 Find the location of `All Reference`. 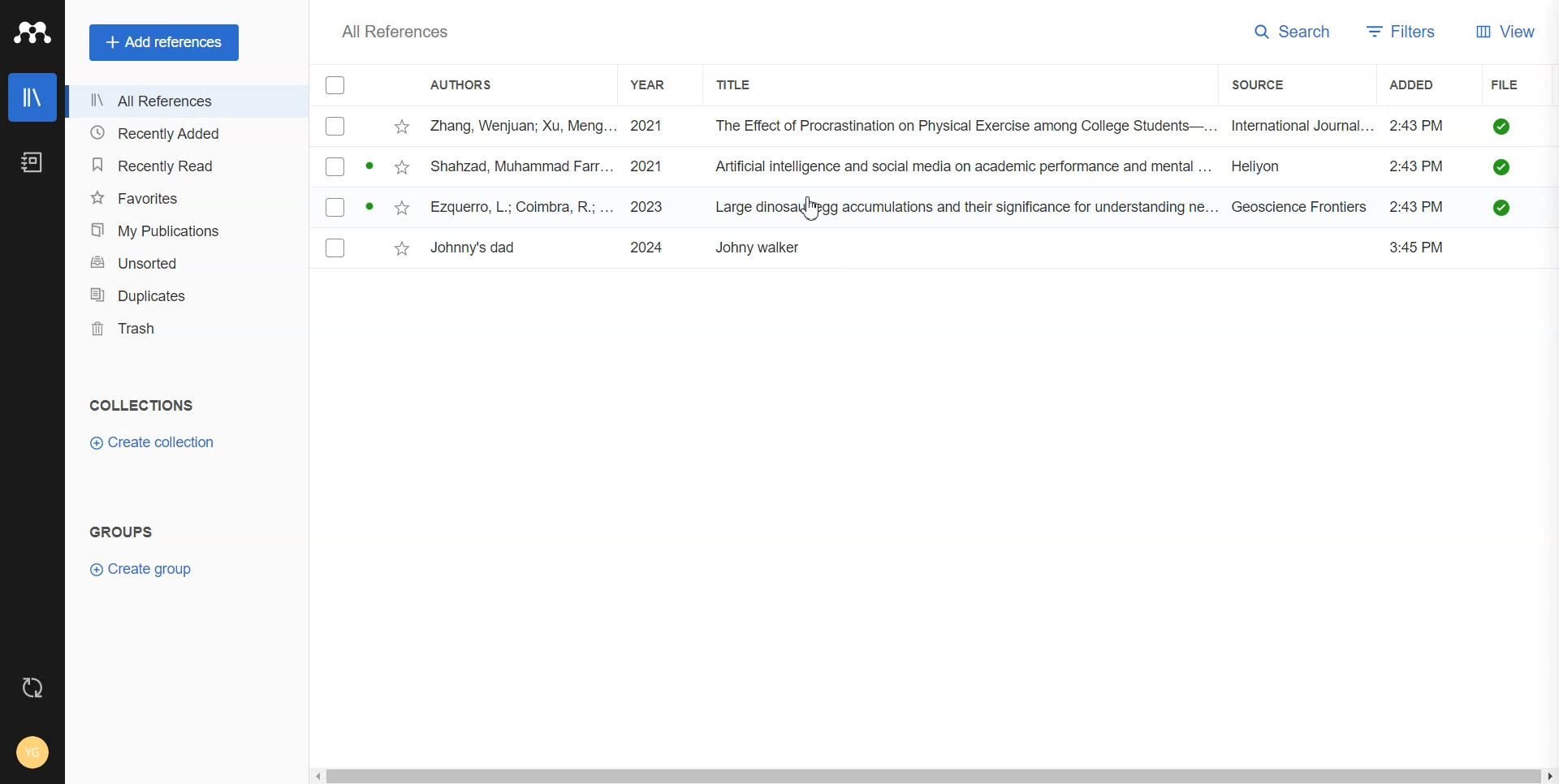

All Reference is located at coordinates (391, 32).